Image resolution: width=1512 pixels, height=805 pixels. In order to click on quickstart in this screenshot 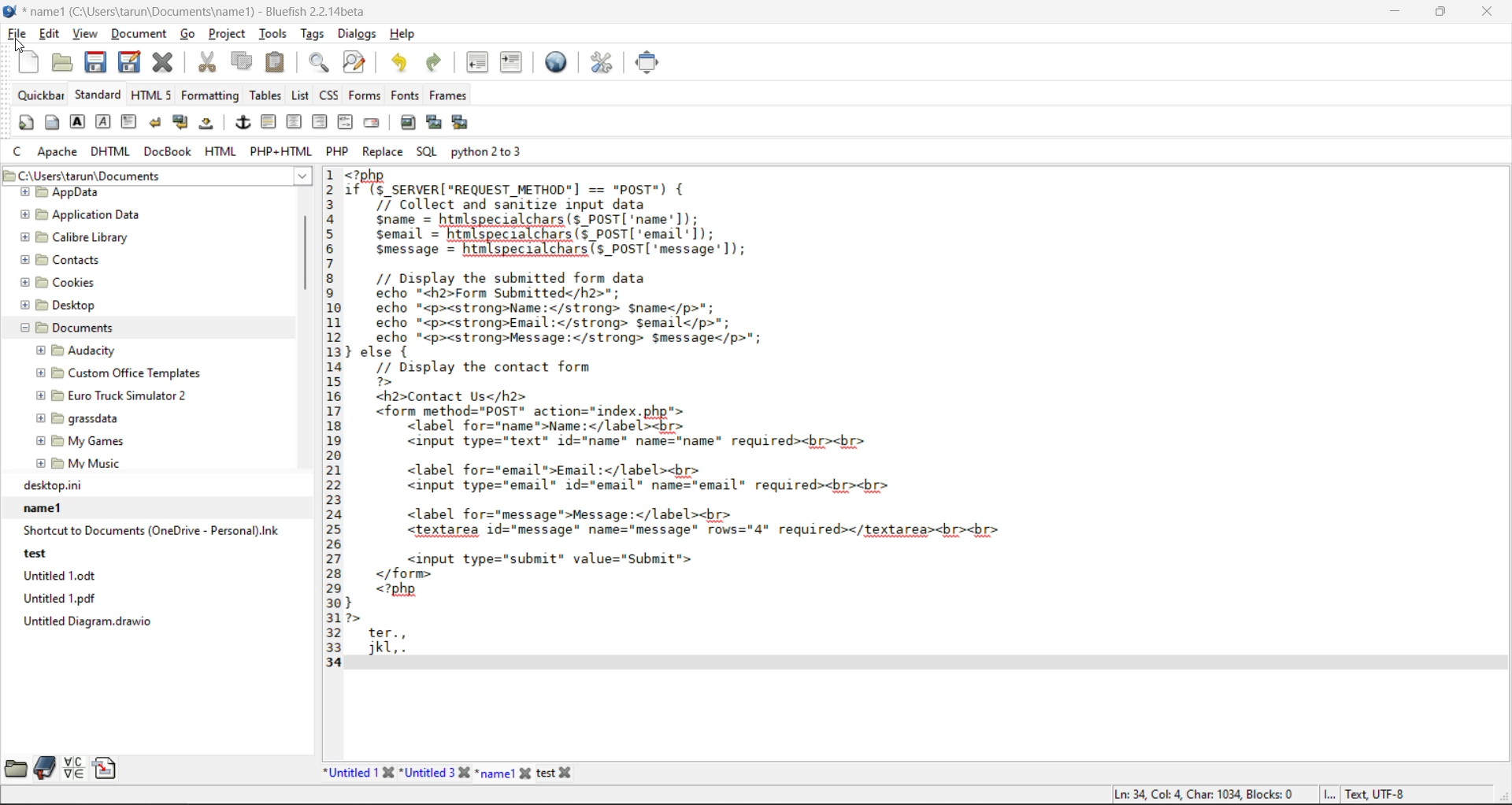, I will do `click(27, 123)`.